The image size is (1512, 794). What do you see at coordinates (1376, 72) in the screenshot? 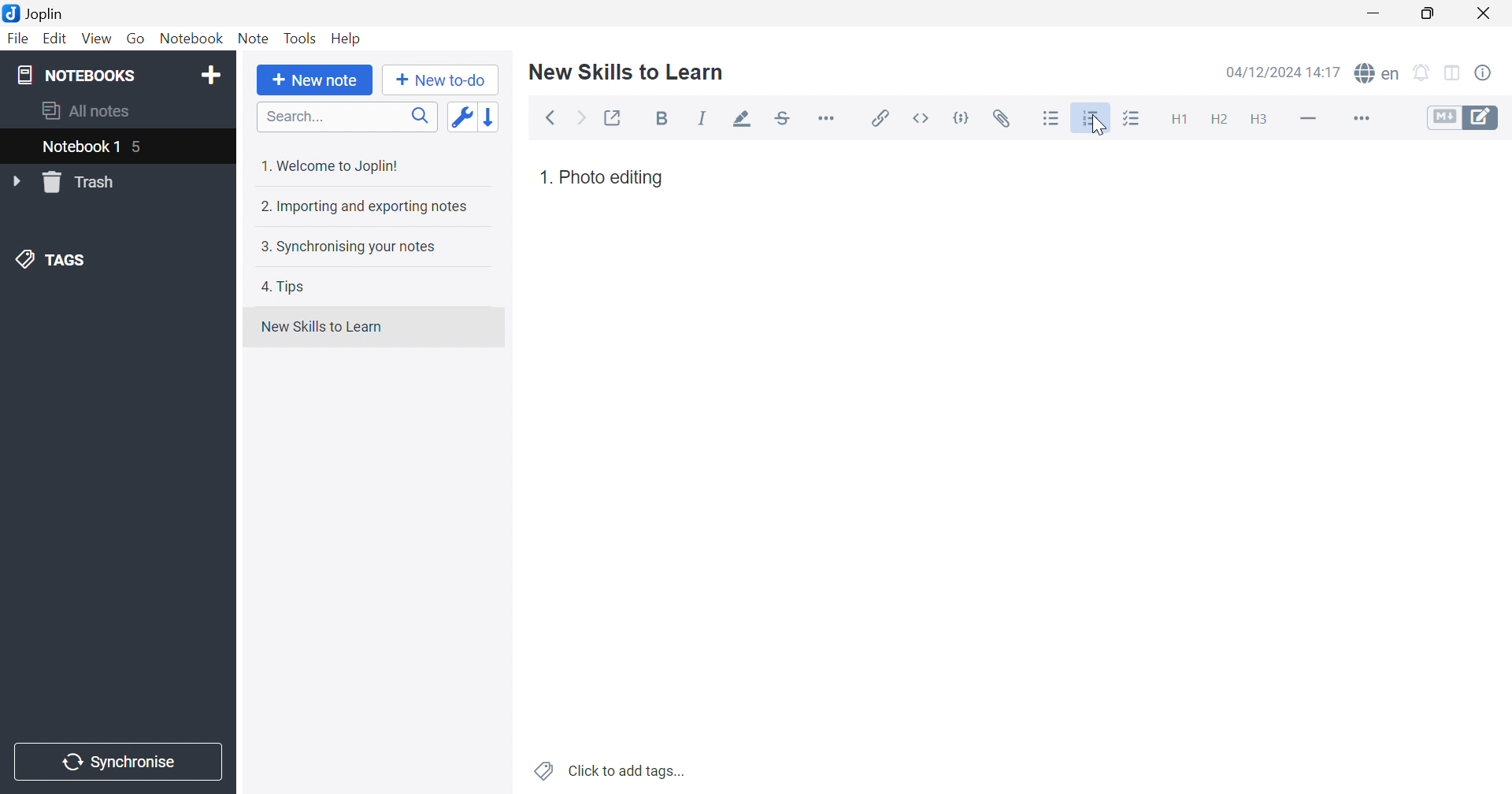
I see `Spell checker` at bounding box center [1376, 72].